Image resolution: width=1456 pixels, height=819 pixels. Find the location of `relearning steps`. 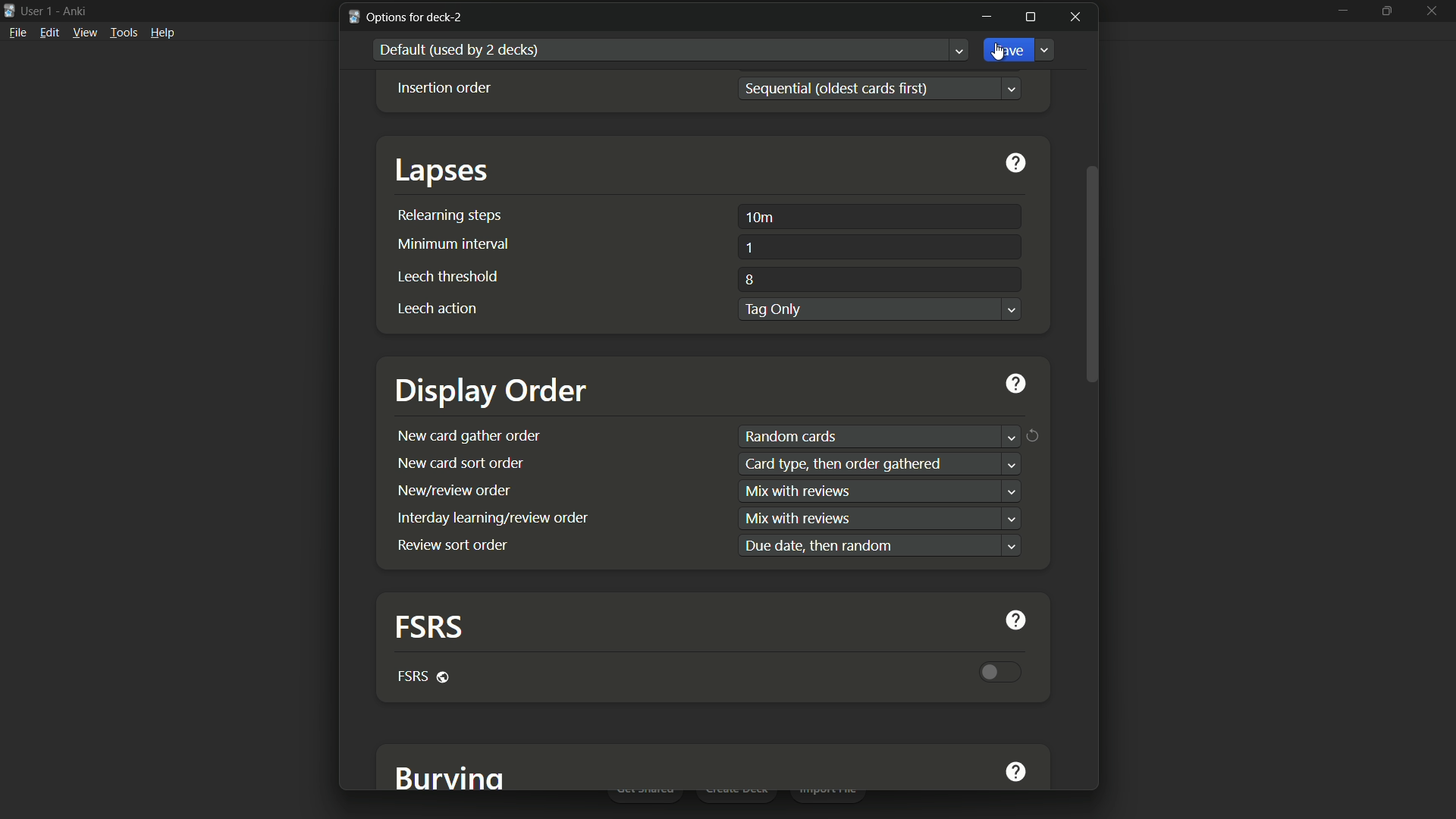

relearning steps is located at coordinates (450, 215).